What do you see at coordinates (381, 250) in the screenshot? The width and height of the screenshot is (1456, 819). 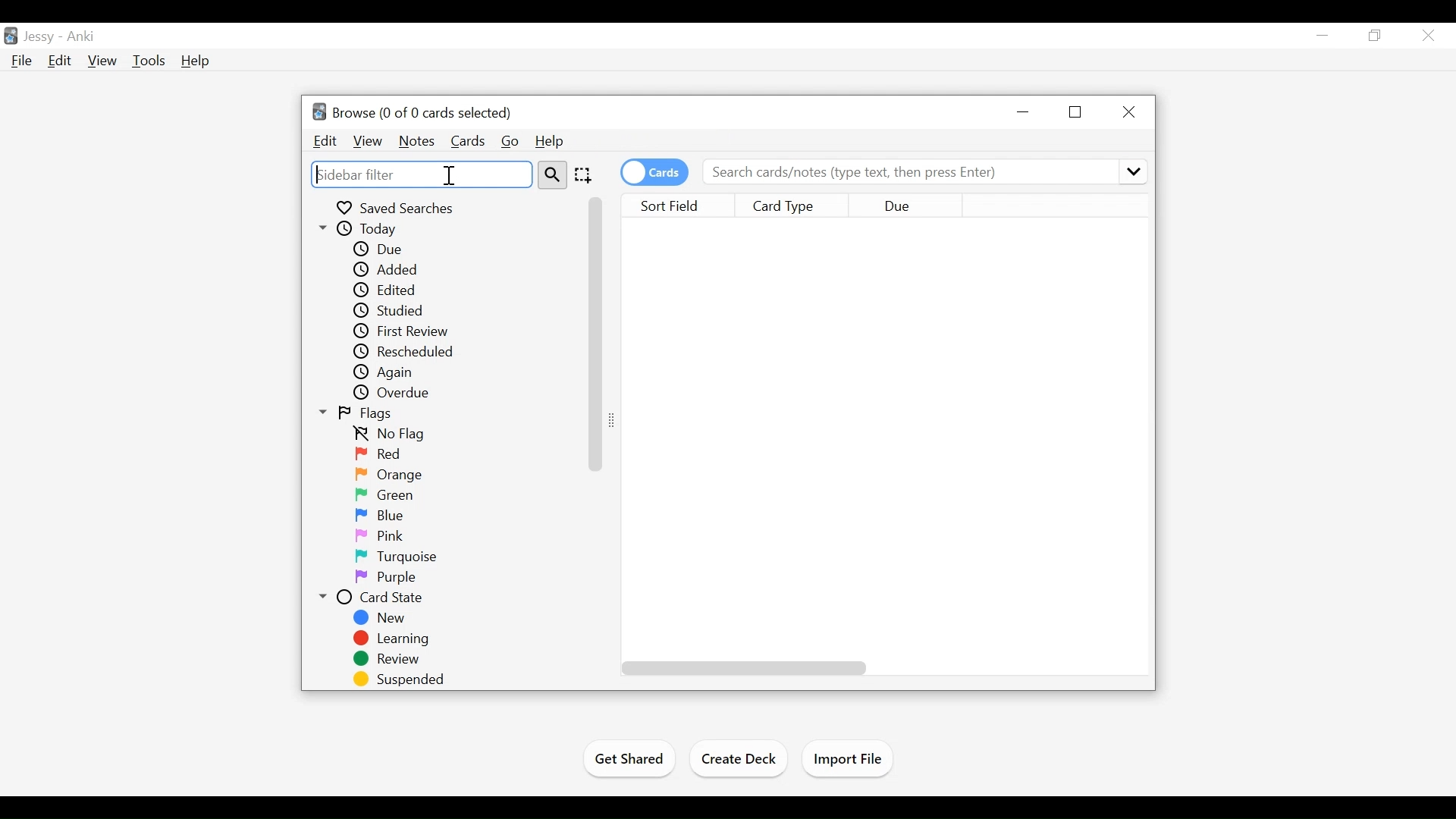 I see `Due` at bounding box center [381, 250].